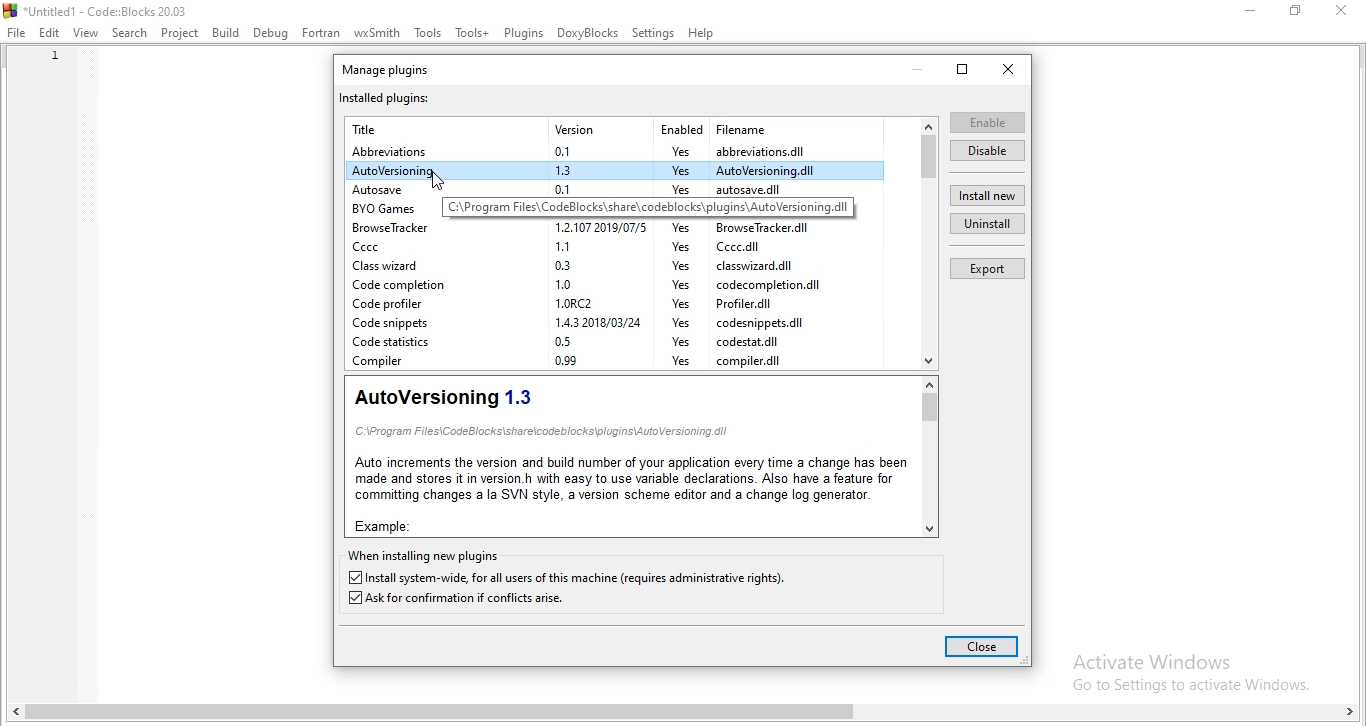 The height and width of the screenshot is (726, 1366). What do you see at coordinates (128, 32) in the screenshot?
I see `Search` at bounding box center [128, 32].